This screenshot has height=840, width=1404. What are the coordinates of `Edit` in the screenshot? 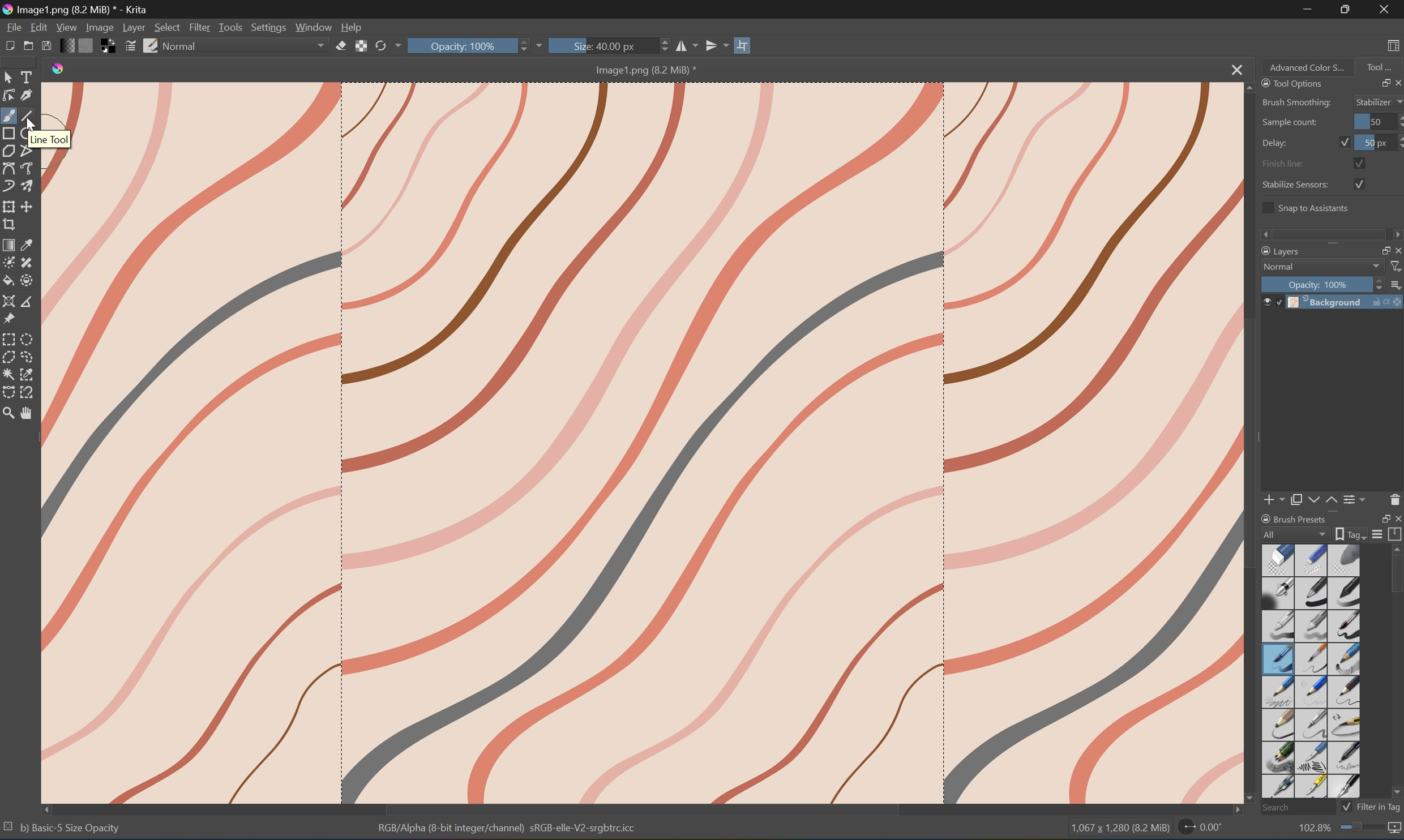 It's located at (38, 26).